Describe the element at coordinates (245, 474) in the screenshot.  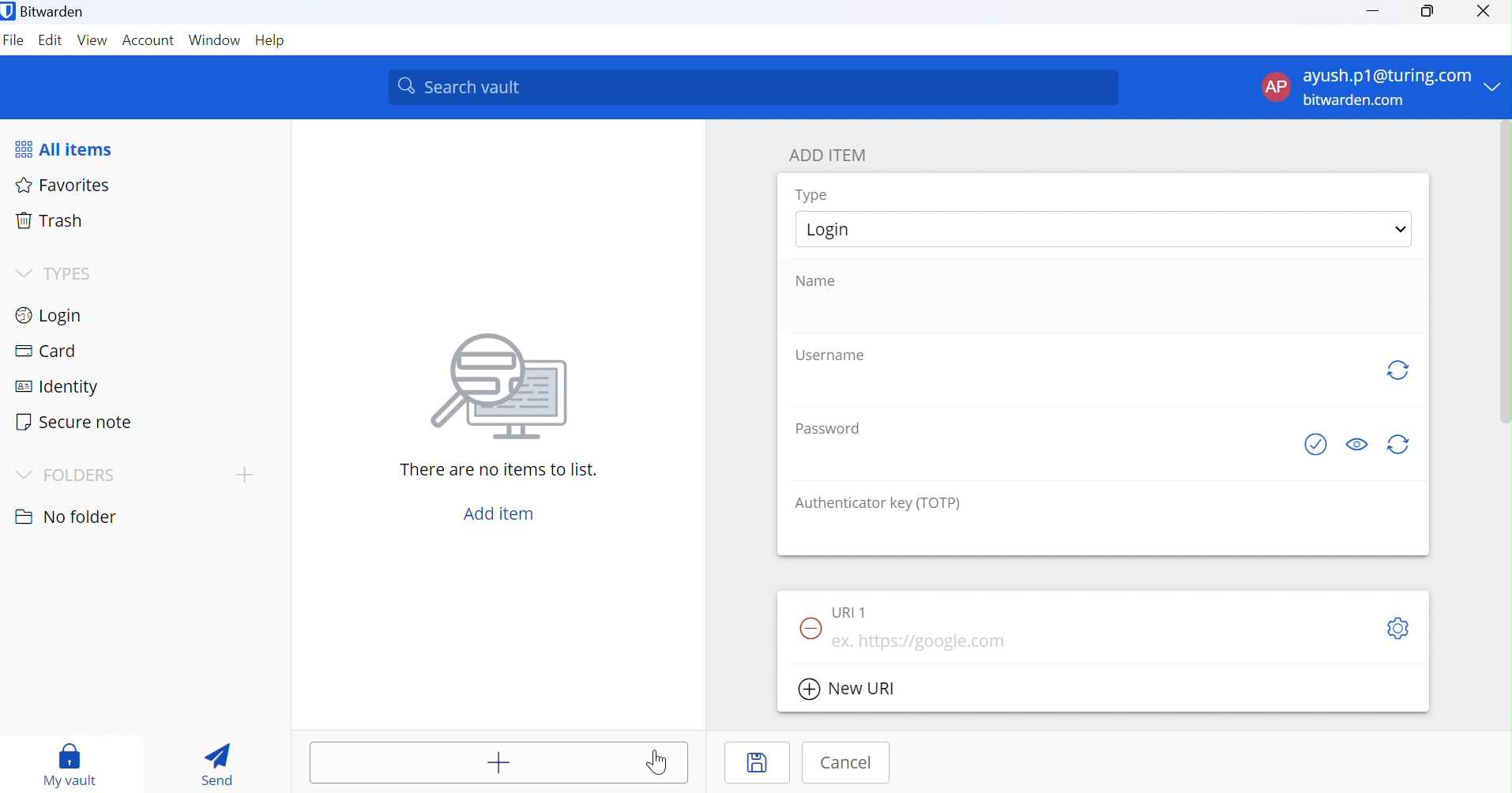
I see `add topic` at that location.